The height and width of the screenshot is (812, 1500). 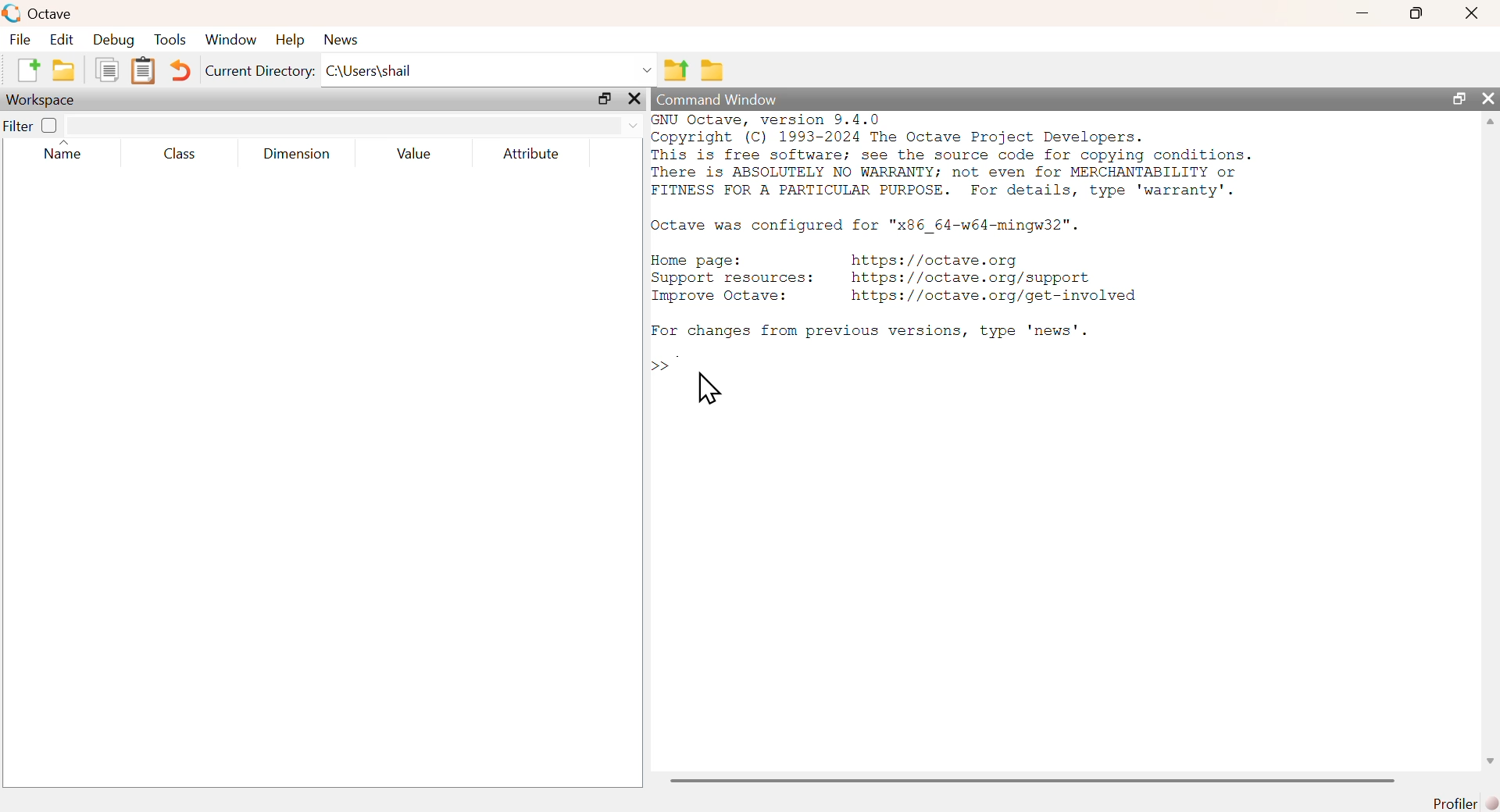 What do you see at coordinates (16, 126) in the screenshot?
I see `filter` at bounding box center [16, 126].